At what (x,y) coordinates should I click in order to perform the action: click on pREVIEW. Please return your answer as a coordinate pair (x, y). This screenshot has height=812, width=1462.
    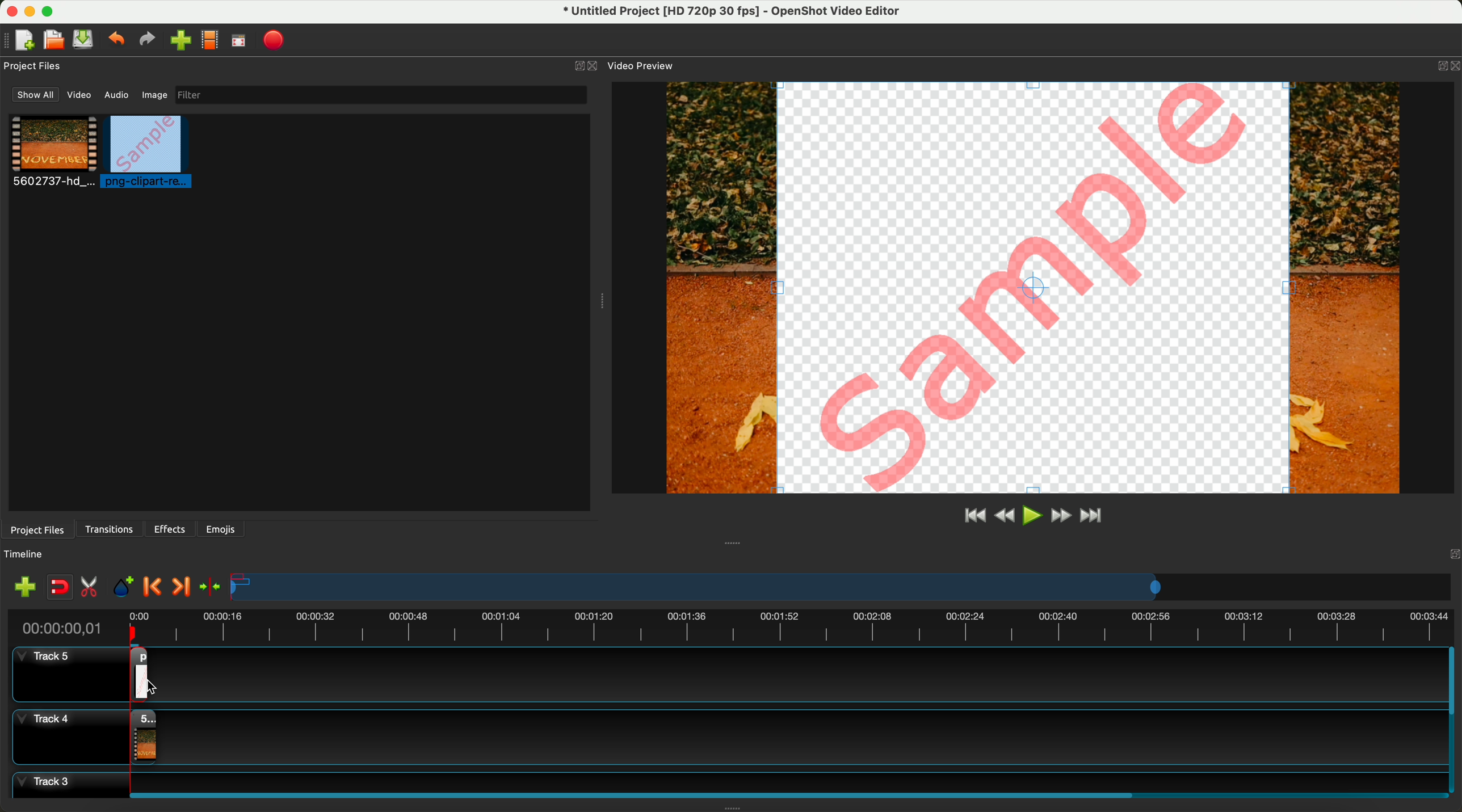
    Looking at the image, I should click on (1039, 287).